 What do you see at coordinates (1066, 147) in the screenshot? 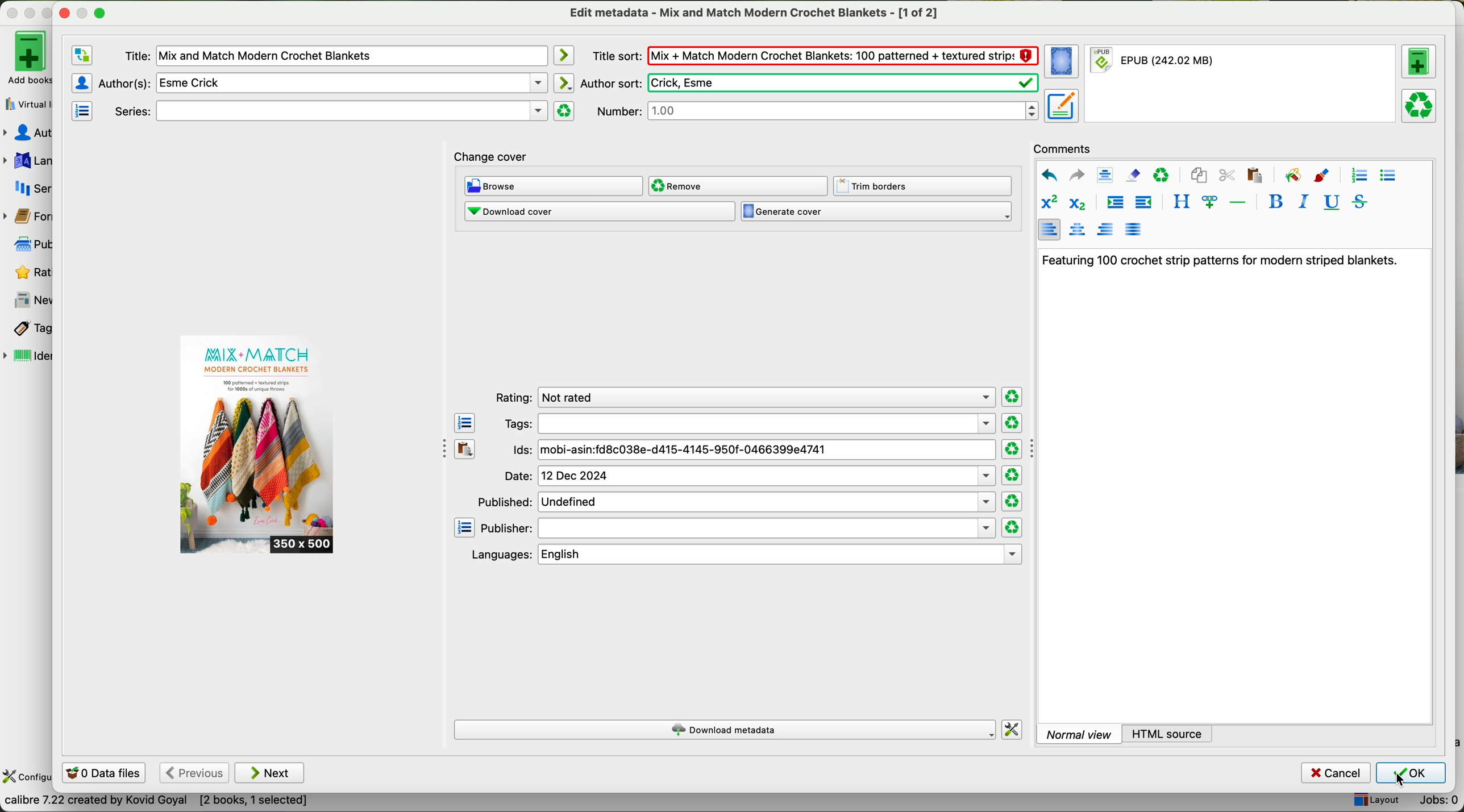
I see `comments` at bounding box center [1066, 147].